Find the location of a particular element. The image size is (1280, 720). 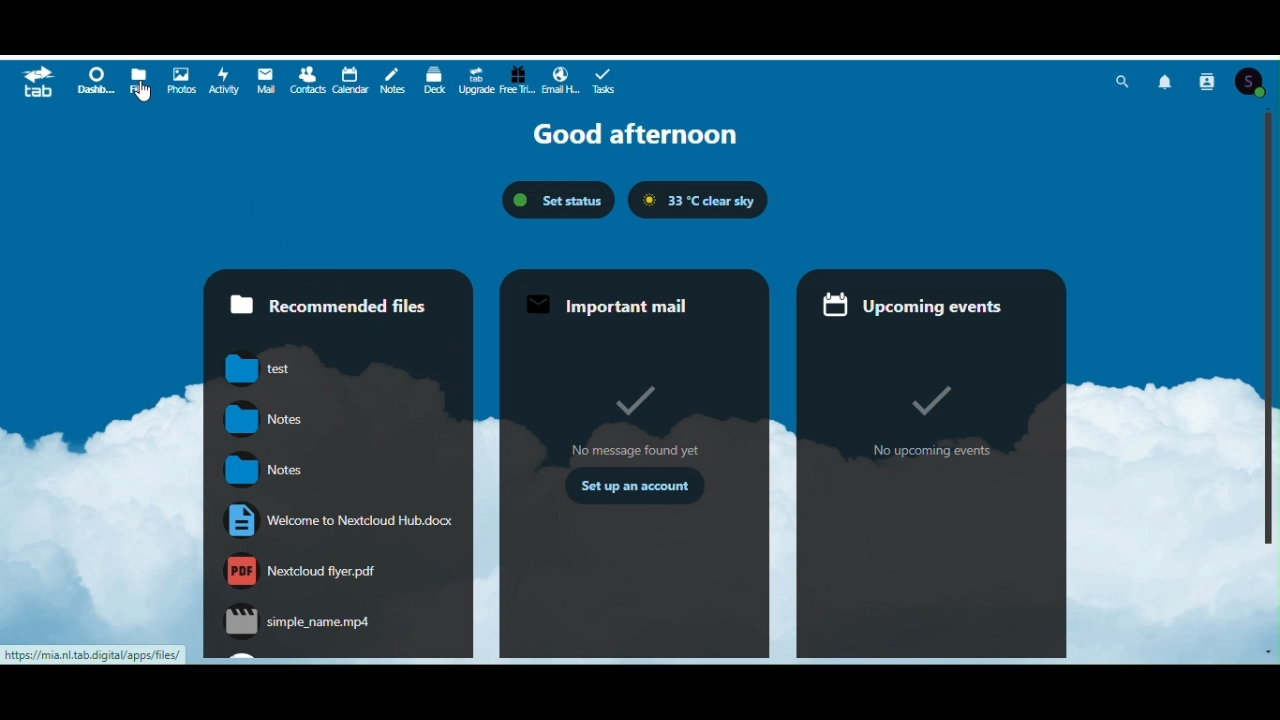

Account icon is located at coordinates (1255, 79).